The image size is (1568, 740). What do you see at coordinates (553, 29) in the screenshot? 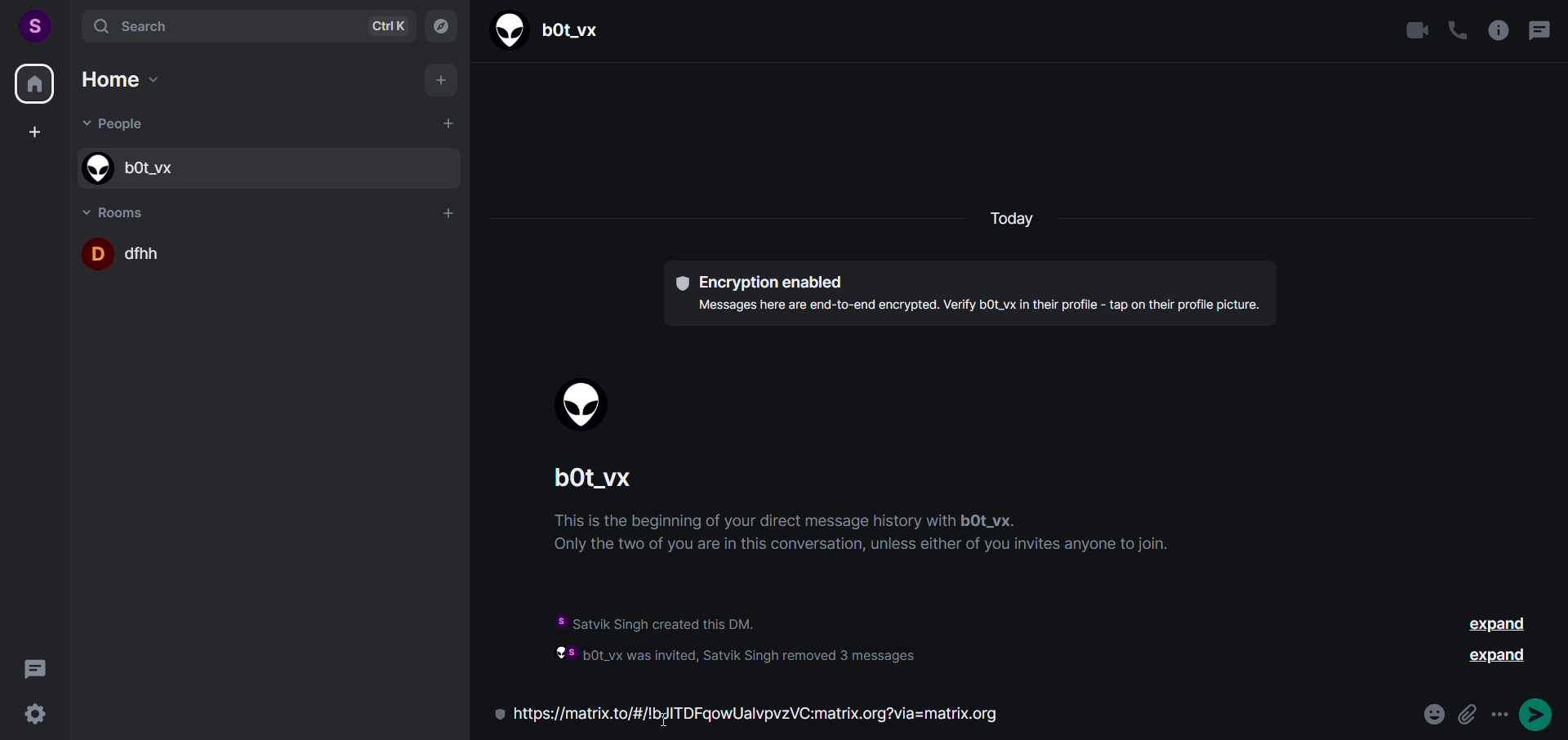
I see `people name` at bounding box center [553, 29].